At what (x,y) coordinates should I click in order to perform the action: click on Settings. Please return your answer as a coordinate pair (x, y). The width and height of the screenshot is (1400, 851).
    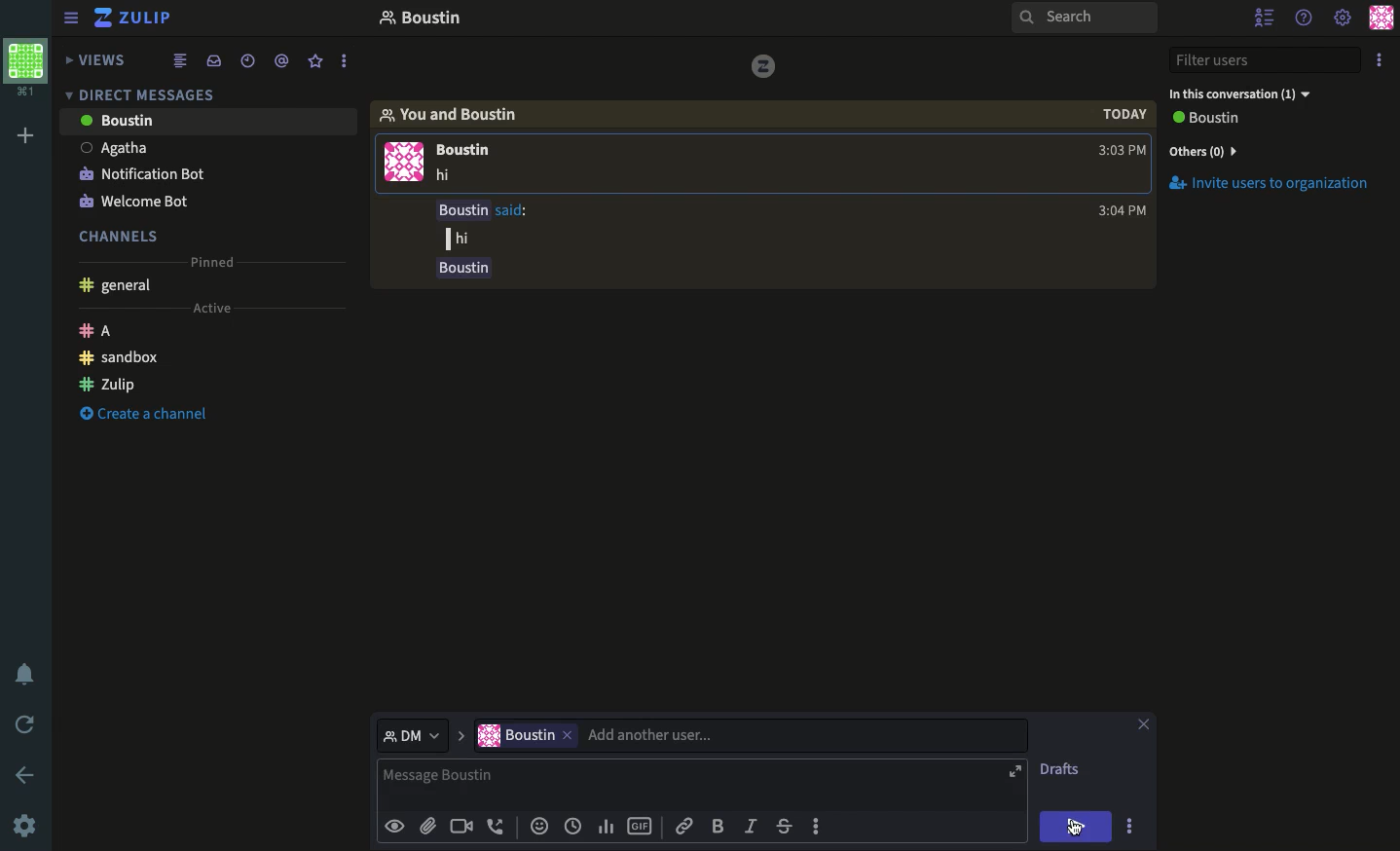
    Looking at the image, I should click on (27, 825).